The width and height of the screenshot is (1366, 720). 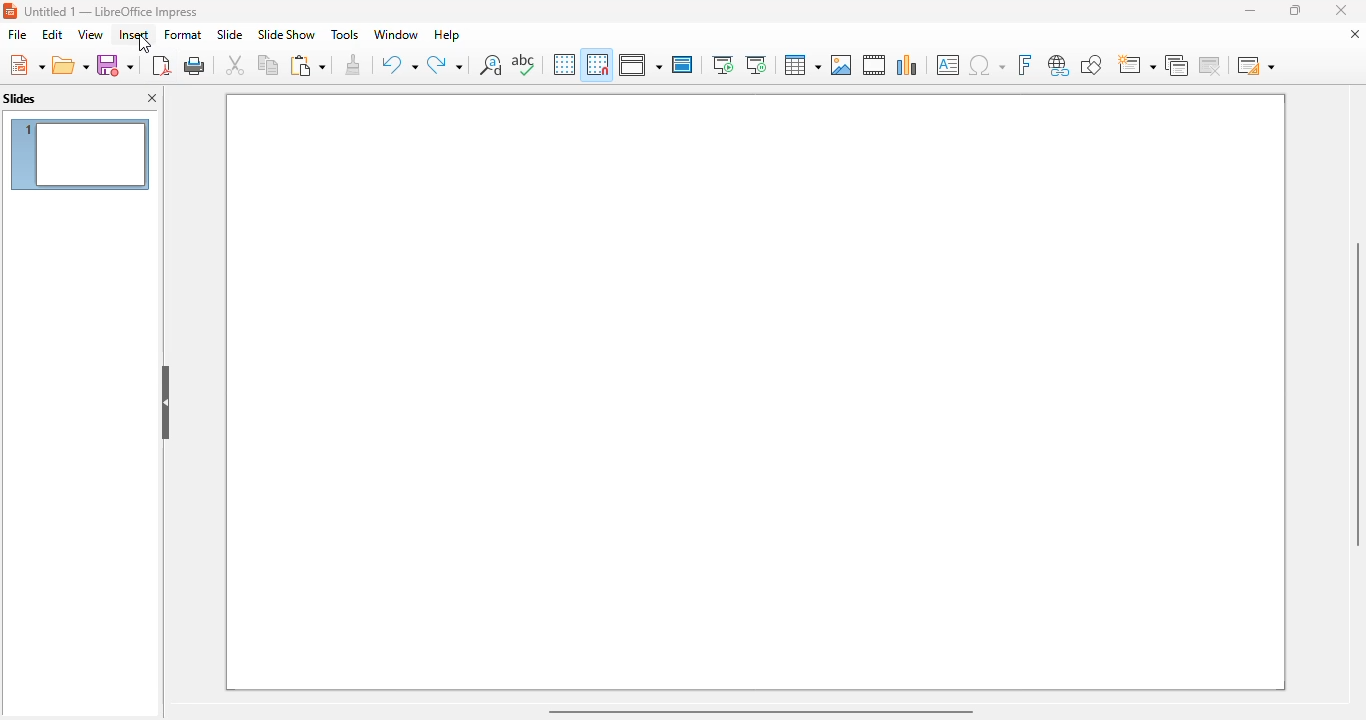 I want to click on new, so click(x=26, y=65).